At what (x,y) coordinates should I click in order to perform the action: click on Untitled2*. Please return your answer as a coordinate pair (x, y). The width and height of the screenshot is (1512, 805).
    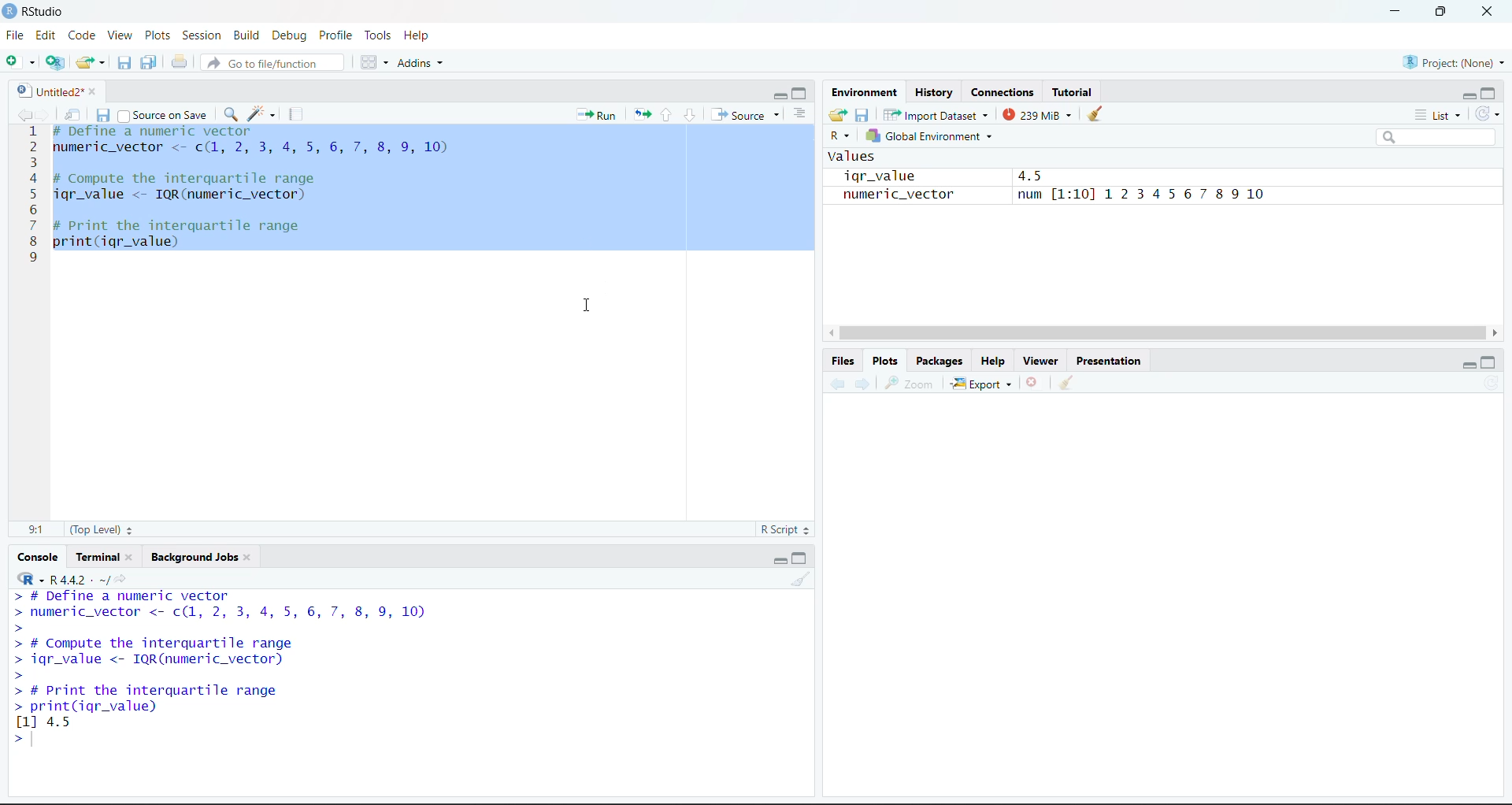
    Looking at the image, I should click on (53, 89).